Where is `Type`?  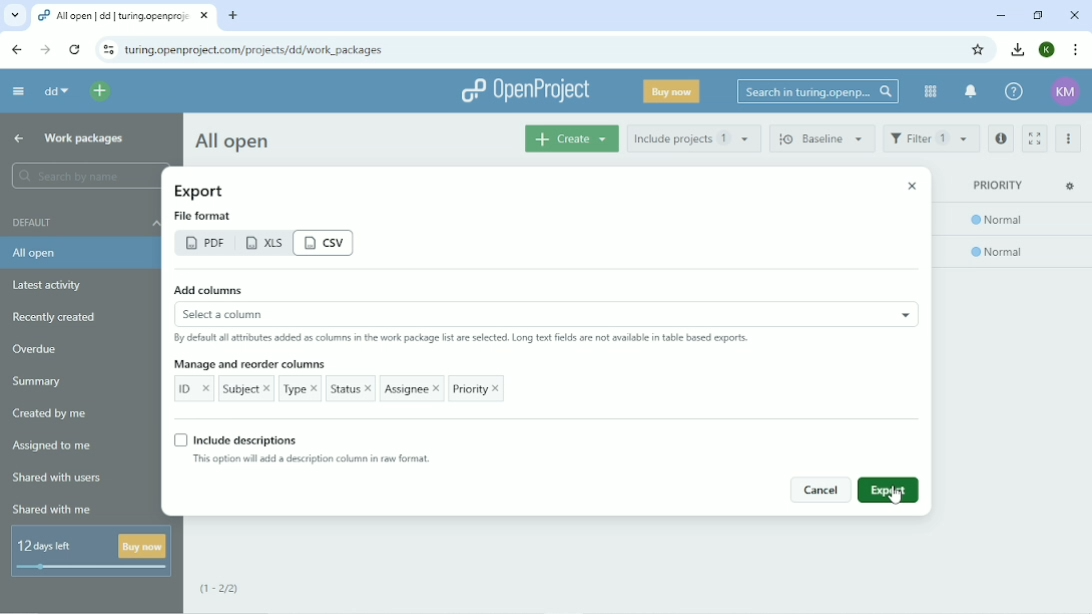 Type is located at coordinates (300, 388).